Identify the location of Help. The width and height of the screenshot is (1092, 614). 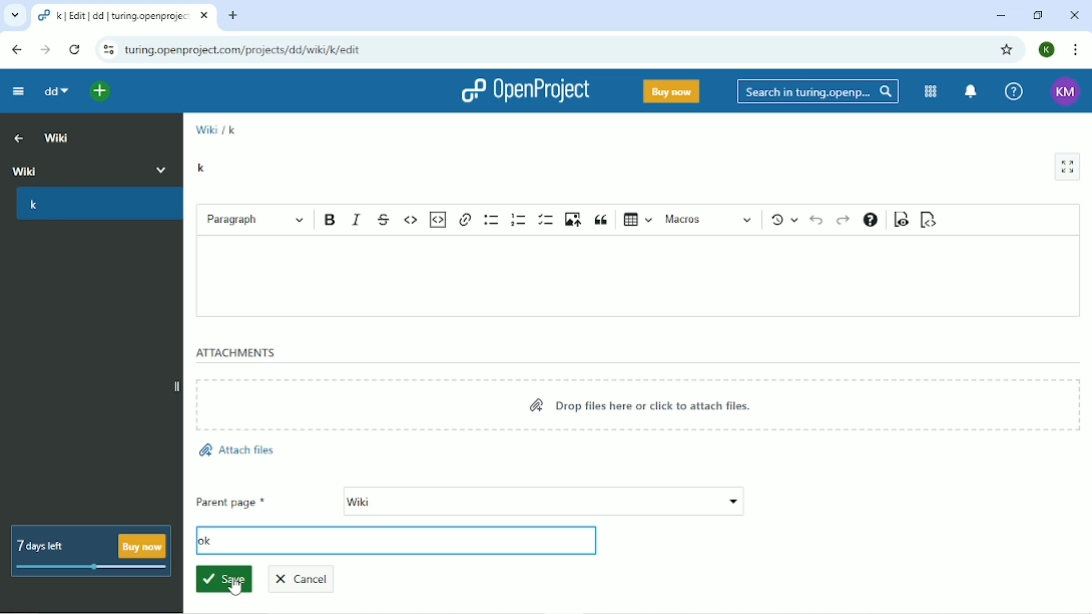
(1012, 90).